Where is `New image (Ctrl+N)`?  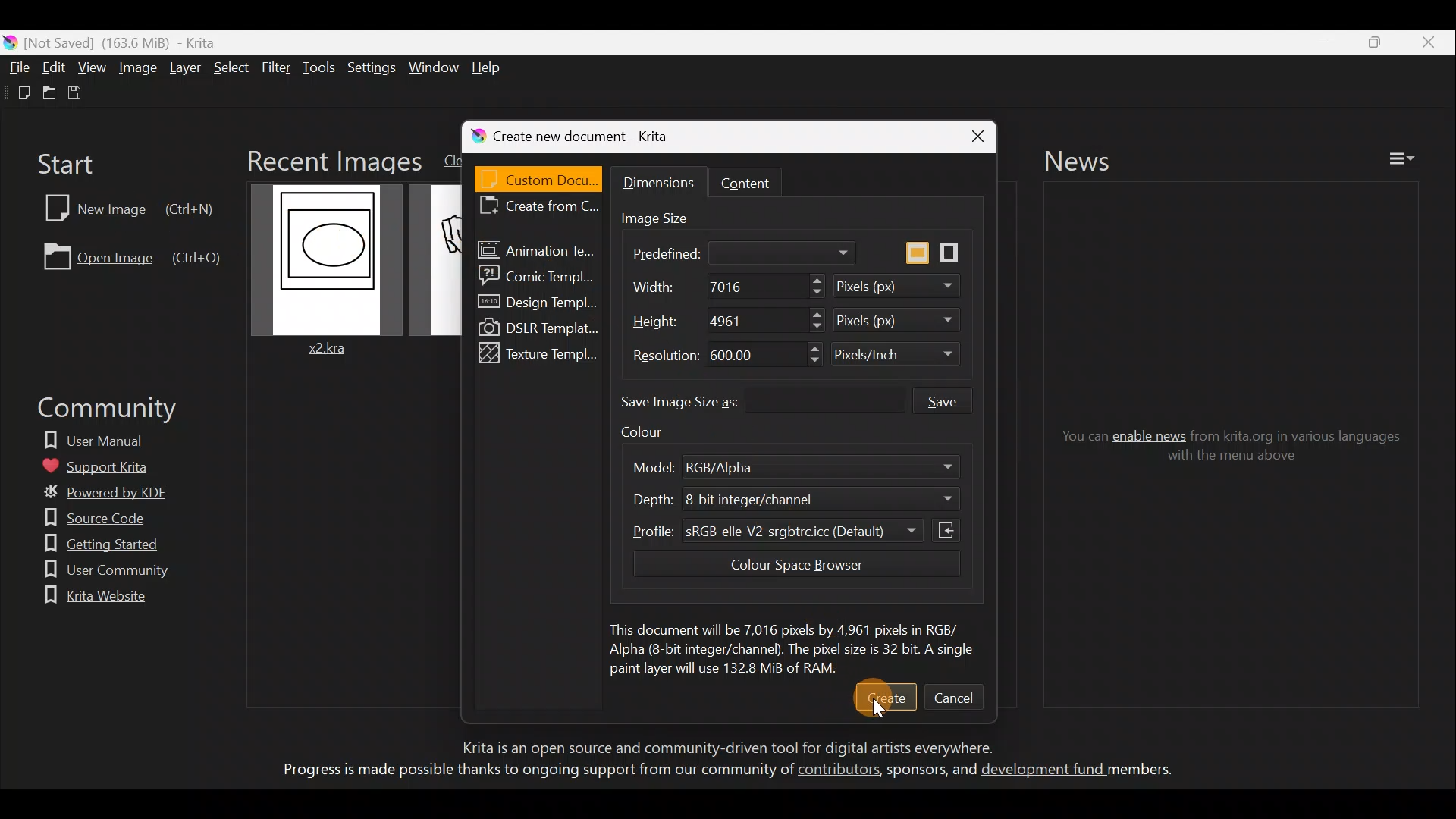
New image (Ctrl+N) is located at coordinates (124, 206).